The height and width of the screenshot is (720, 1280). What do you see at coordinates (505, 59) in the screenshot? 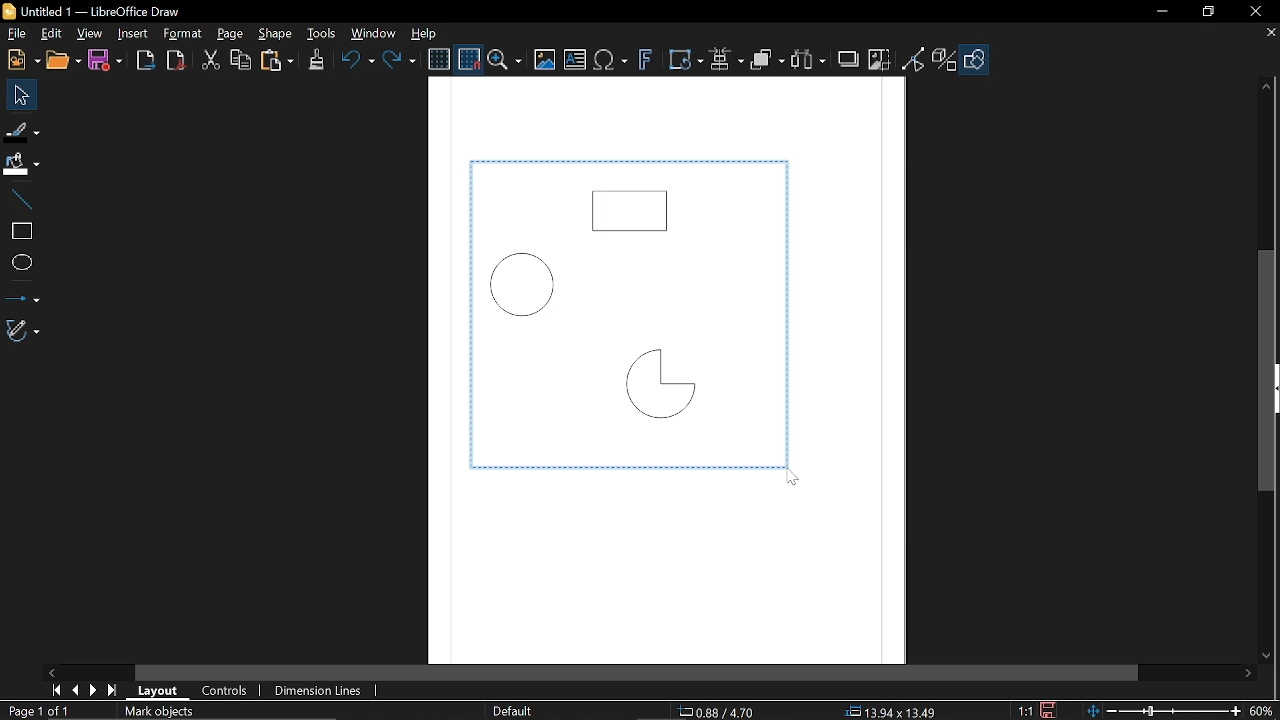
I see `ZOom` at bounding box center [505, 59].